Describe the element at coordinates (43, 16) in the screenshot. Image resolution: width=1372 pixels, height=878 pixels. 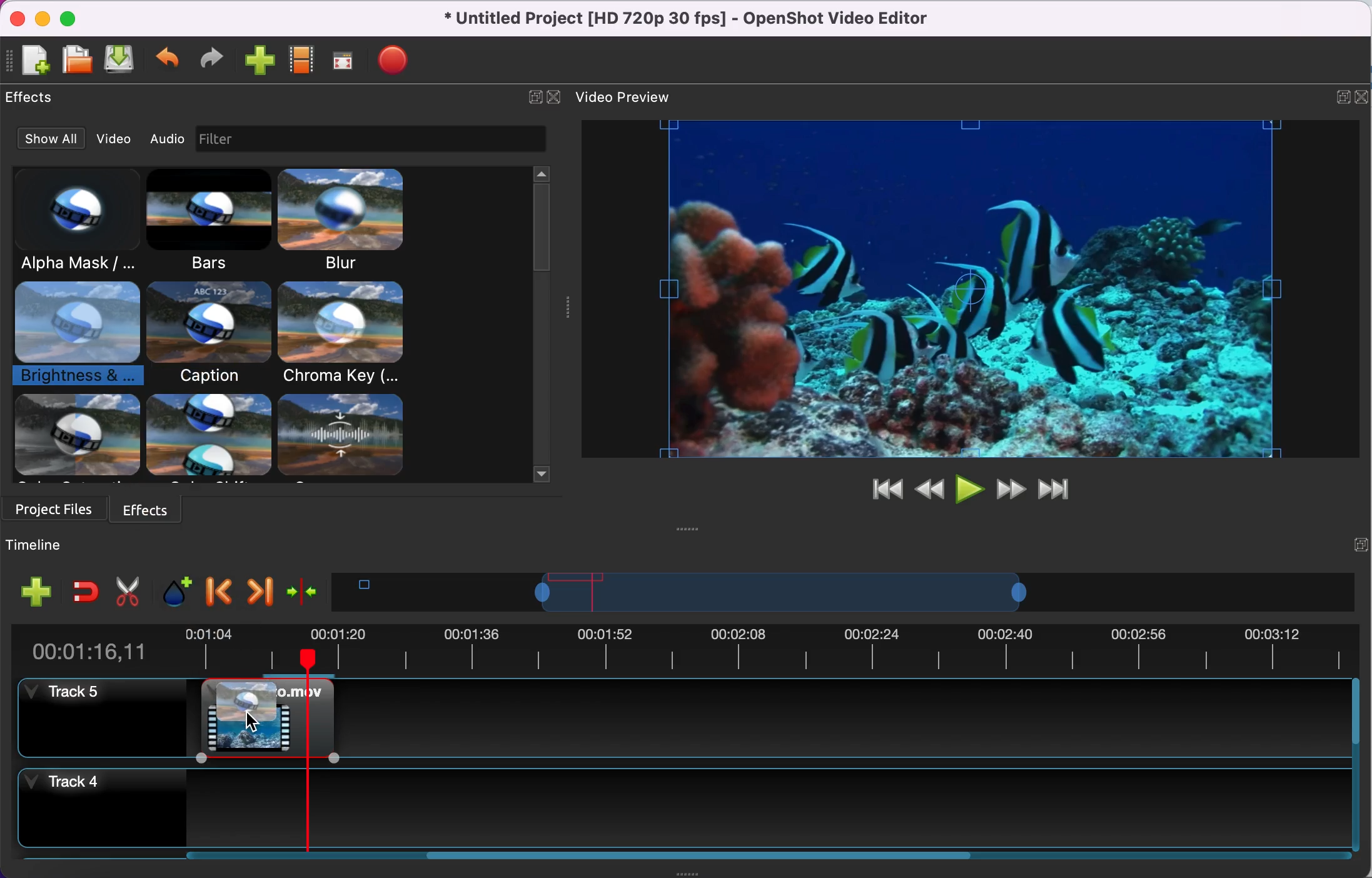
I see `minimize` at that location.